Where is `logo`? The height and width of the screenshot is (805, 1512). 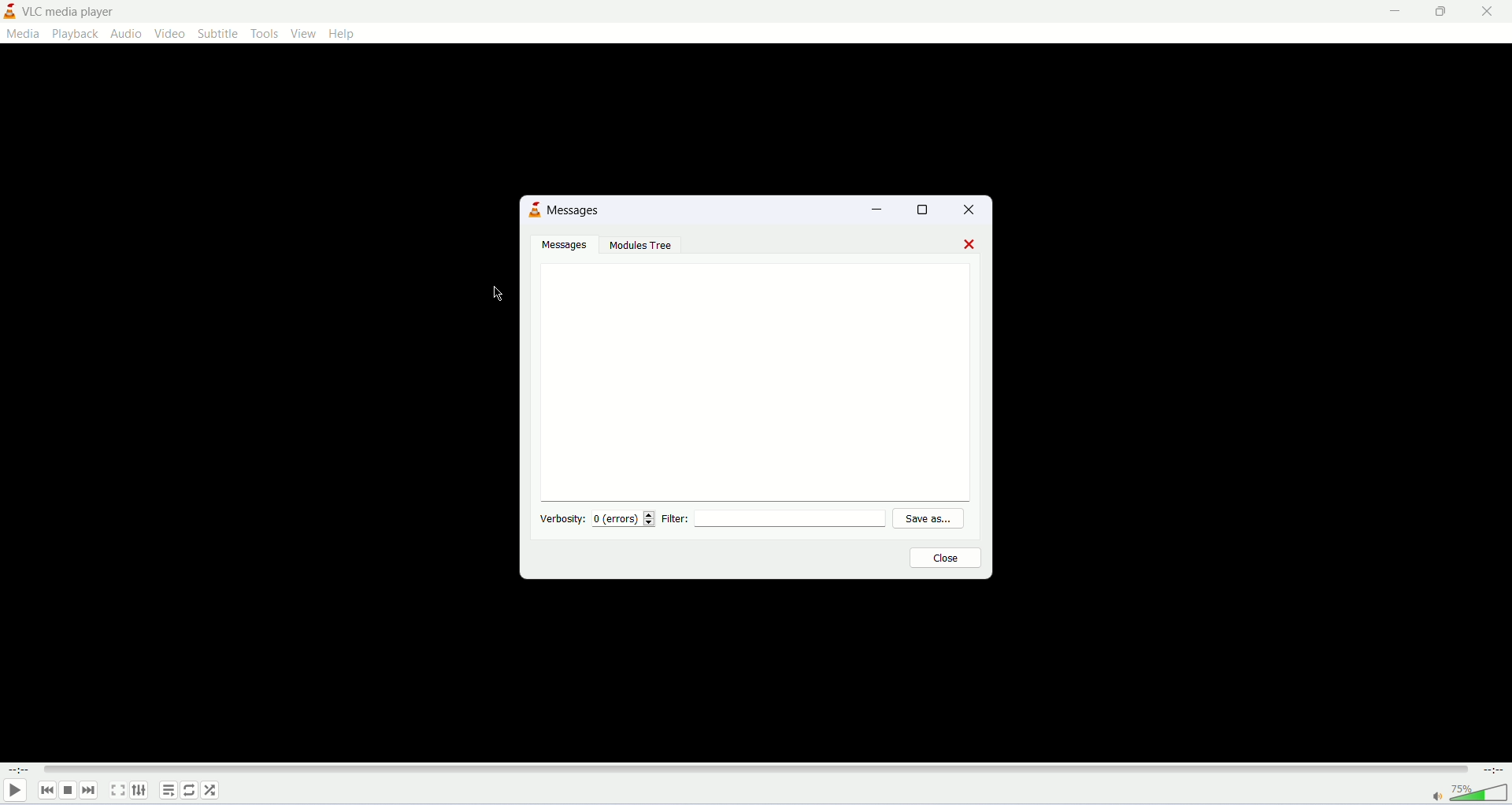 logo is located at coordinates (535, 210).